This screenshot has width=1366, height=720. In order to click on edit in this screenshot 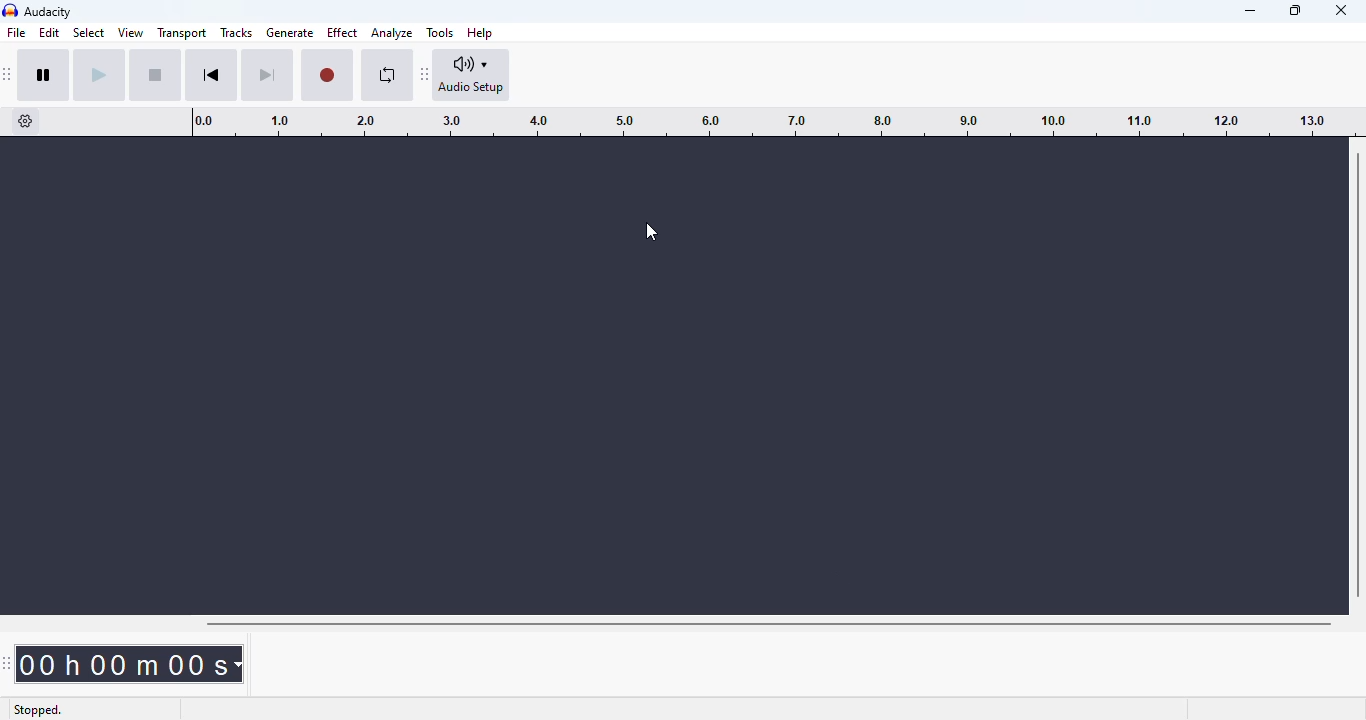, I will do `click(49, 32)`.